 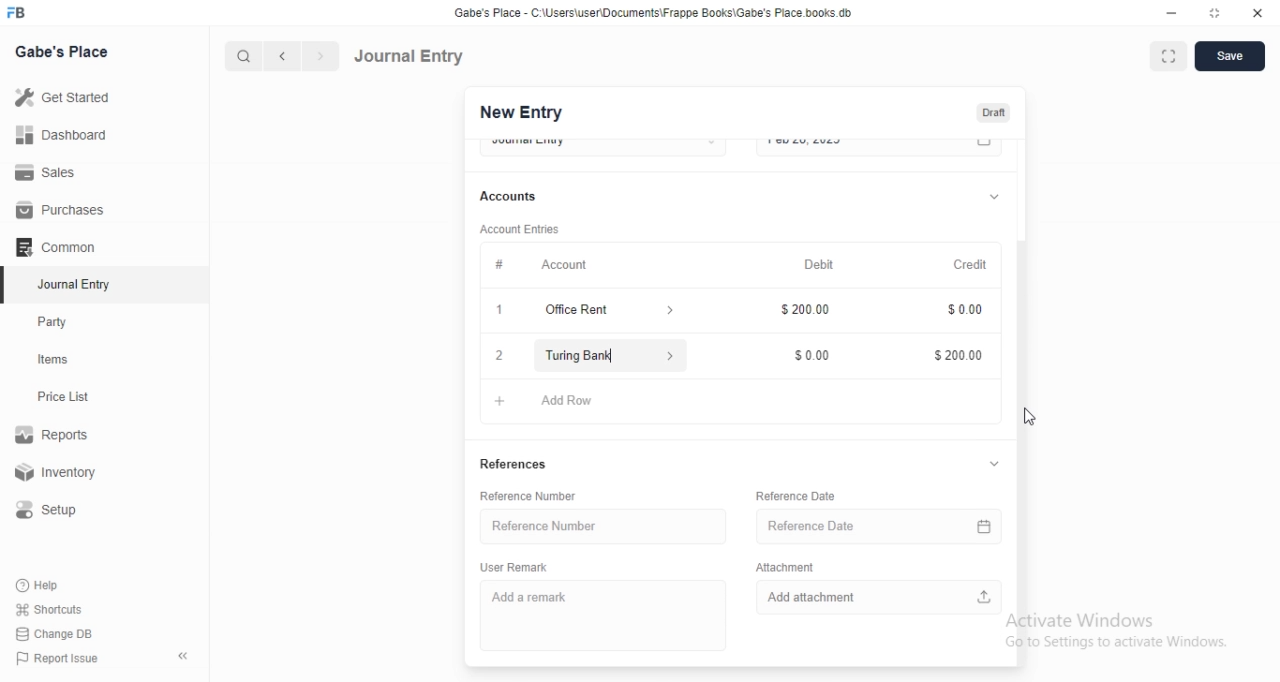 What do you see at coordinates (61, 99) in the screenshot?
I see `Get Started` at bounding box center [61, 99].